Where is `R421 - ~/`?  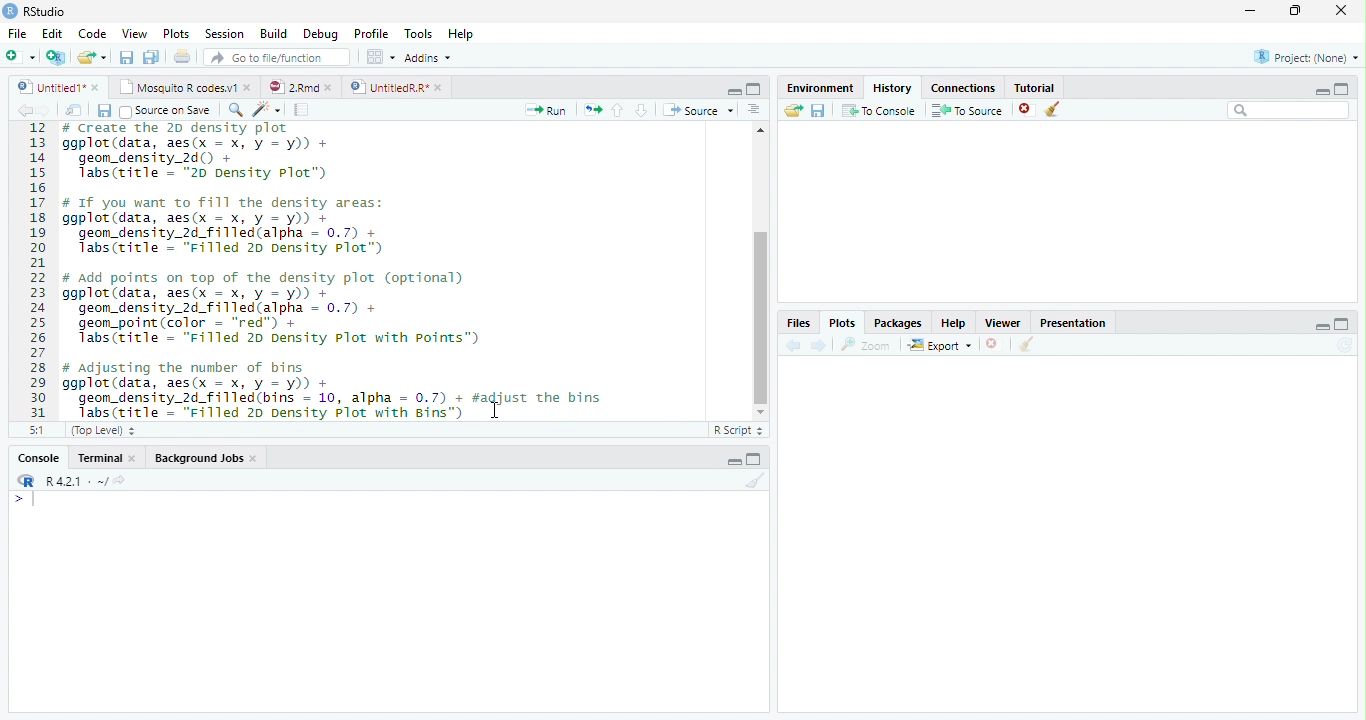
R421 - ~/ is located at coordinates (70, 481).